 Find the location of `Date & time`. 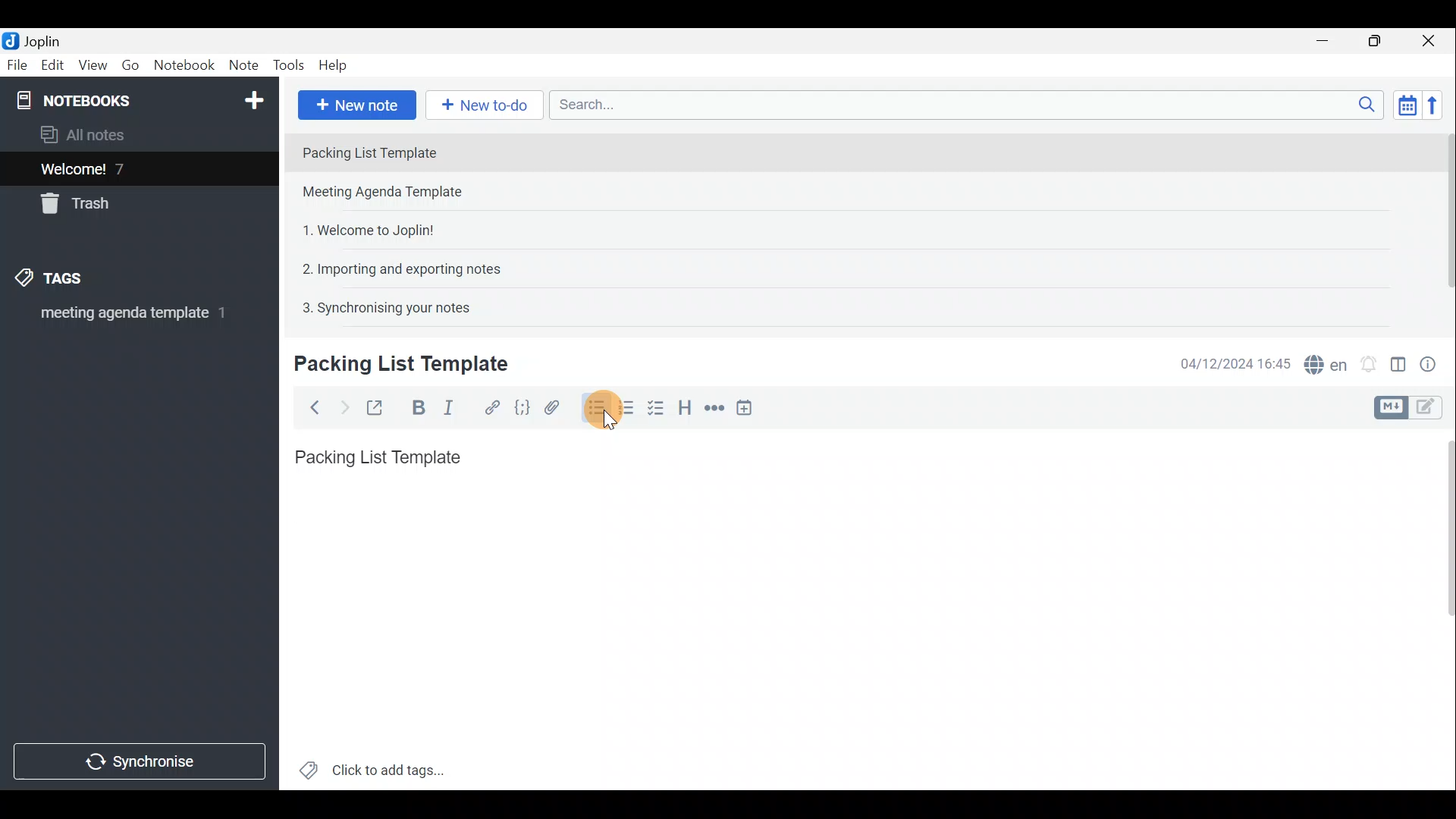

Date & time is located at coordinates (1235, 362).